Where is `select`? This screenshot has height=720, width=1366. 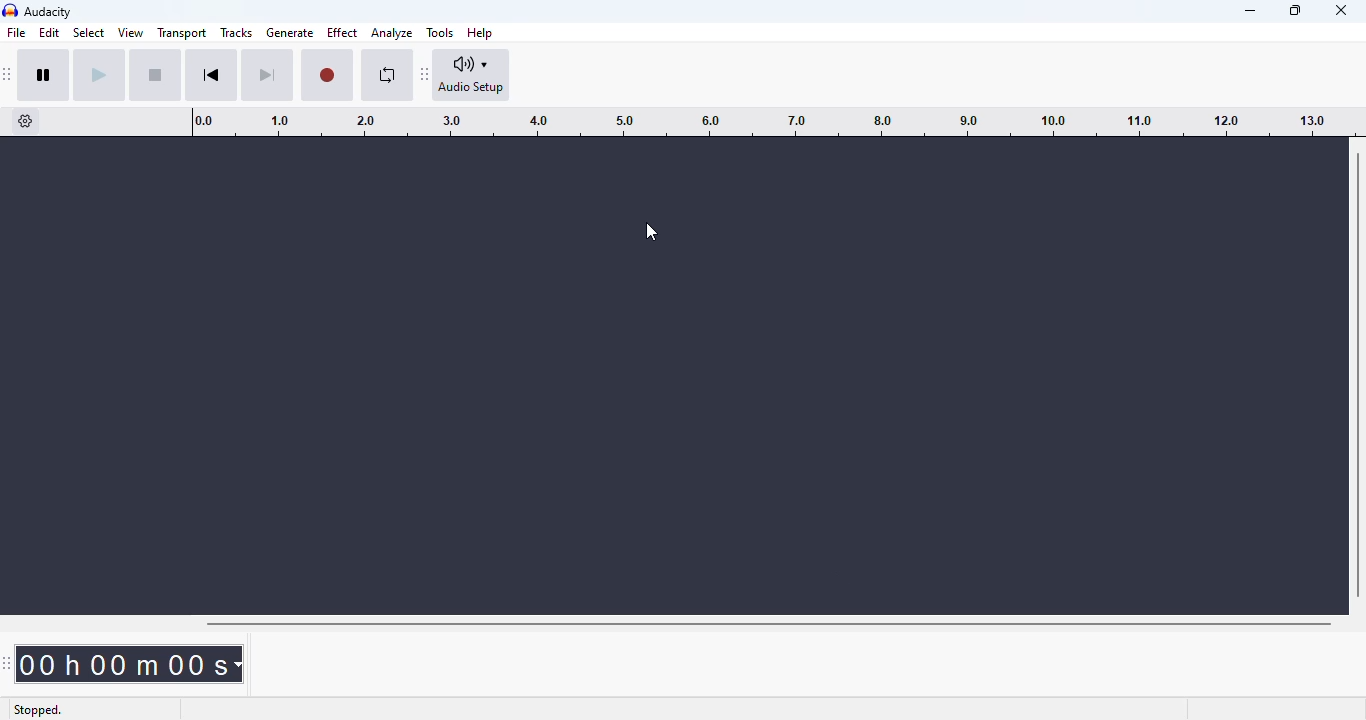
select is located at coordinates (90, 33).